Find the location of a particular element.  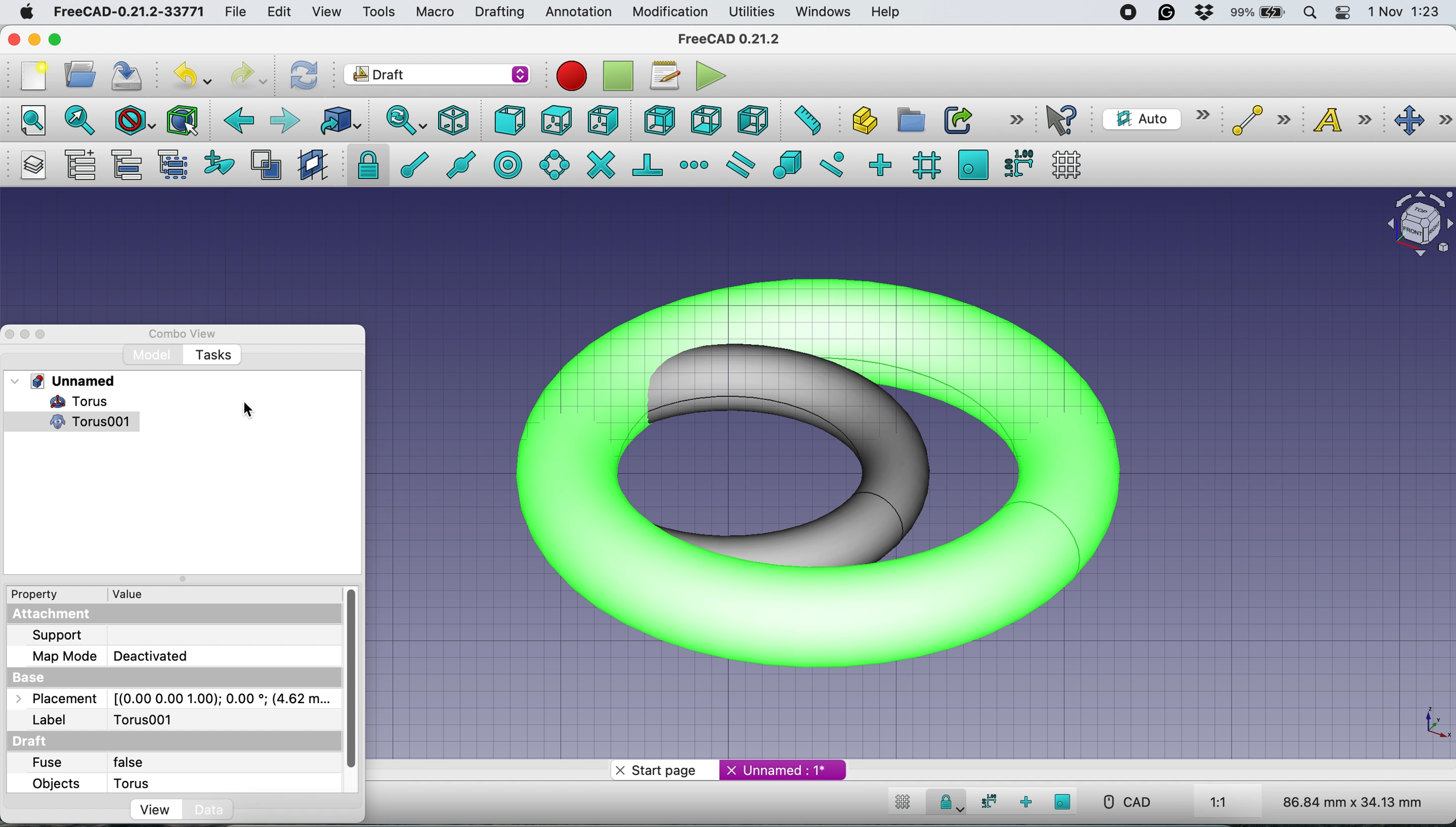

Placement is located at coordinates (52, 699).